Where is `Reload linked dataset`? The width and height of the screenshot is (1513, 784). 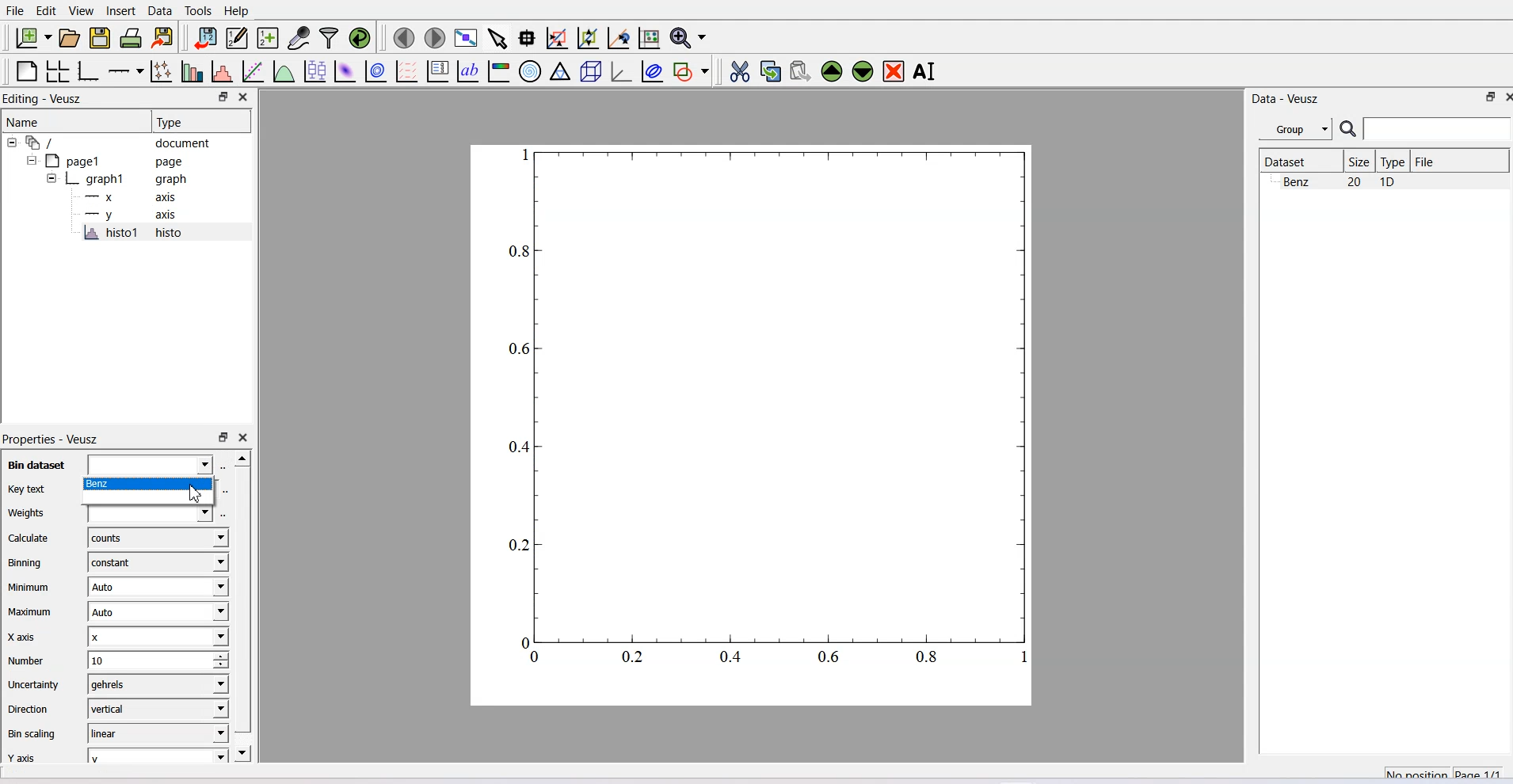
Reload linked dataset is located at coordinates (360, 37).